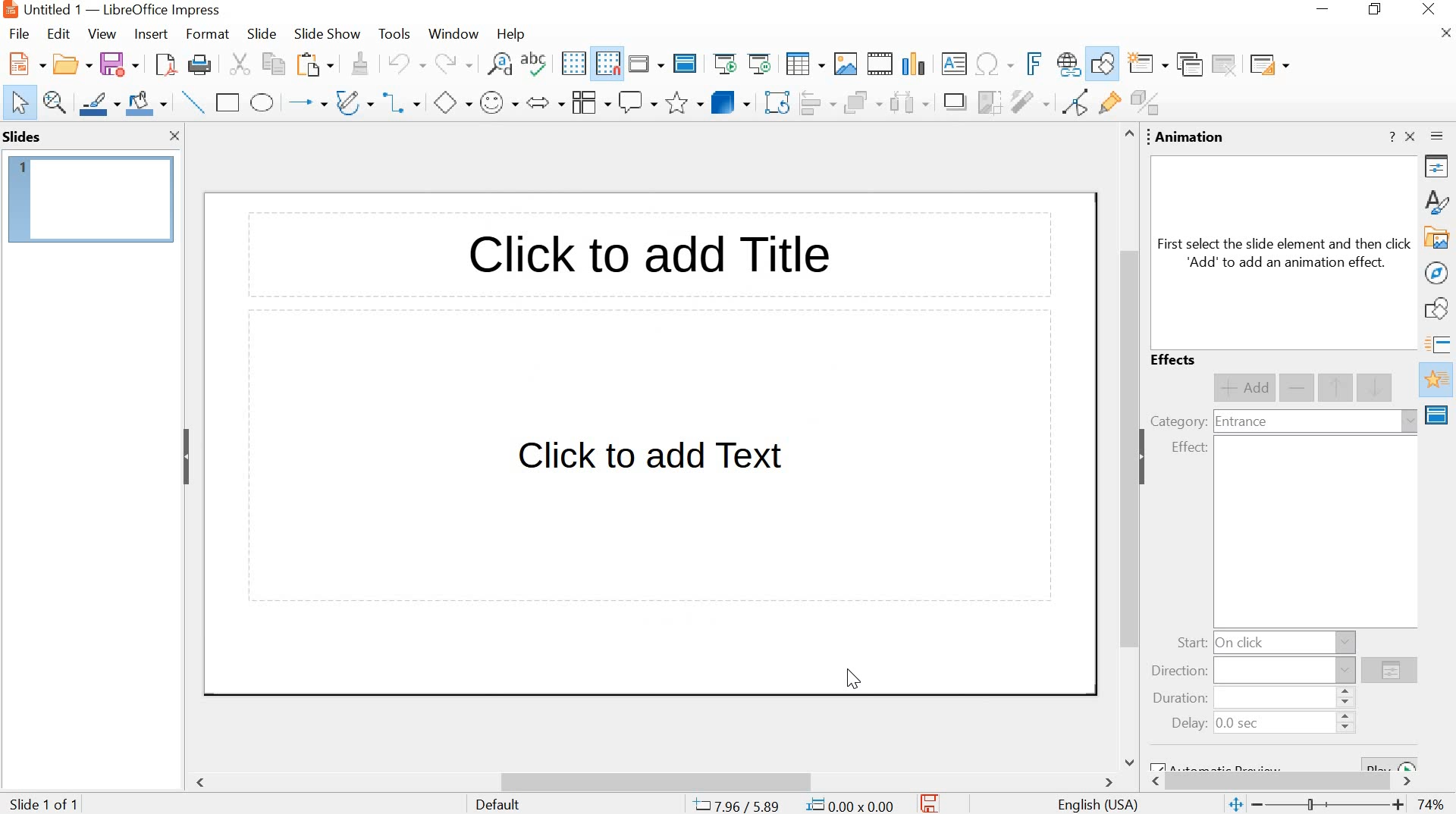 The height and width of the screenshot is (814, 1456). What do you see at coordinates (544, 104) in the screenshot?
I see `block arrows` at bounding box center [544, 104].